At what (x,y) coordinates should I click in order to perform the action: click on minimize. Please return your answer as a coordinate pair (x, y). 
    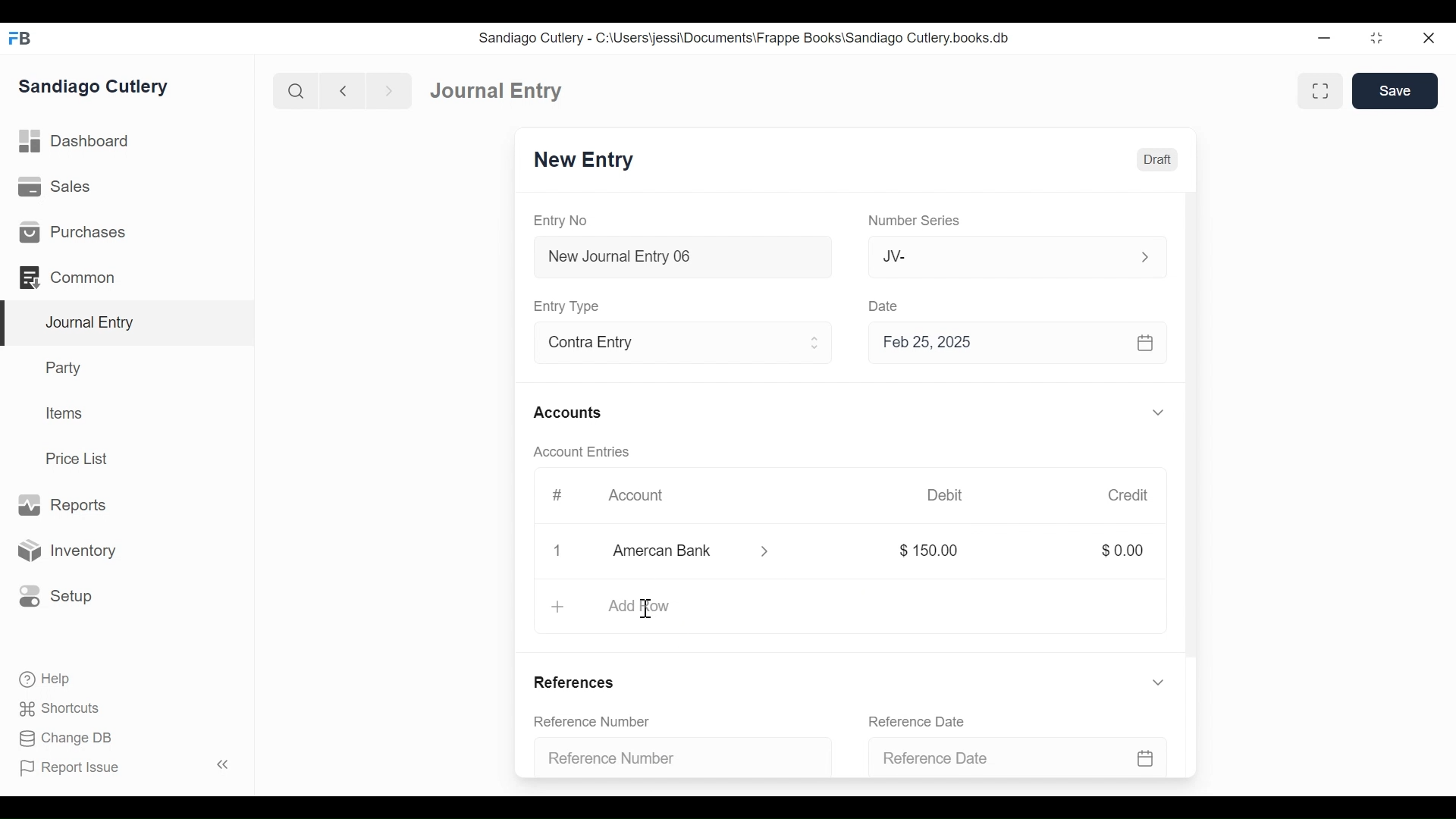
    Looking at the image, I should click on (1325, 37).